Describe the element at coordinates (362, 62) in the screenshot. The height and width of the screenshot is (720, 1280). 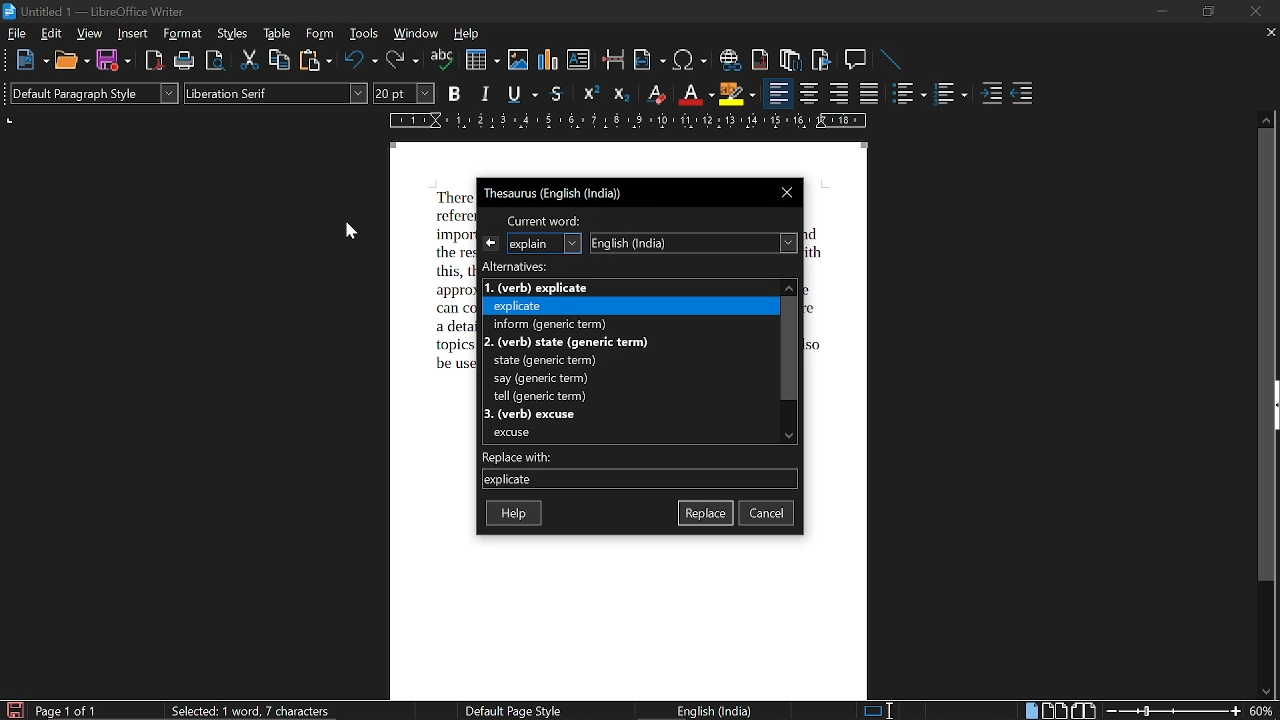
I see `undo` at that location.